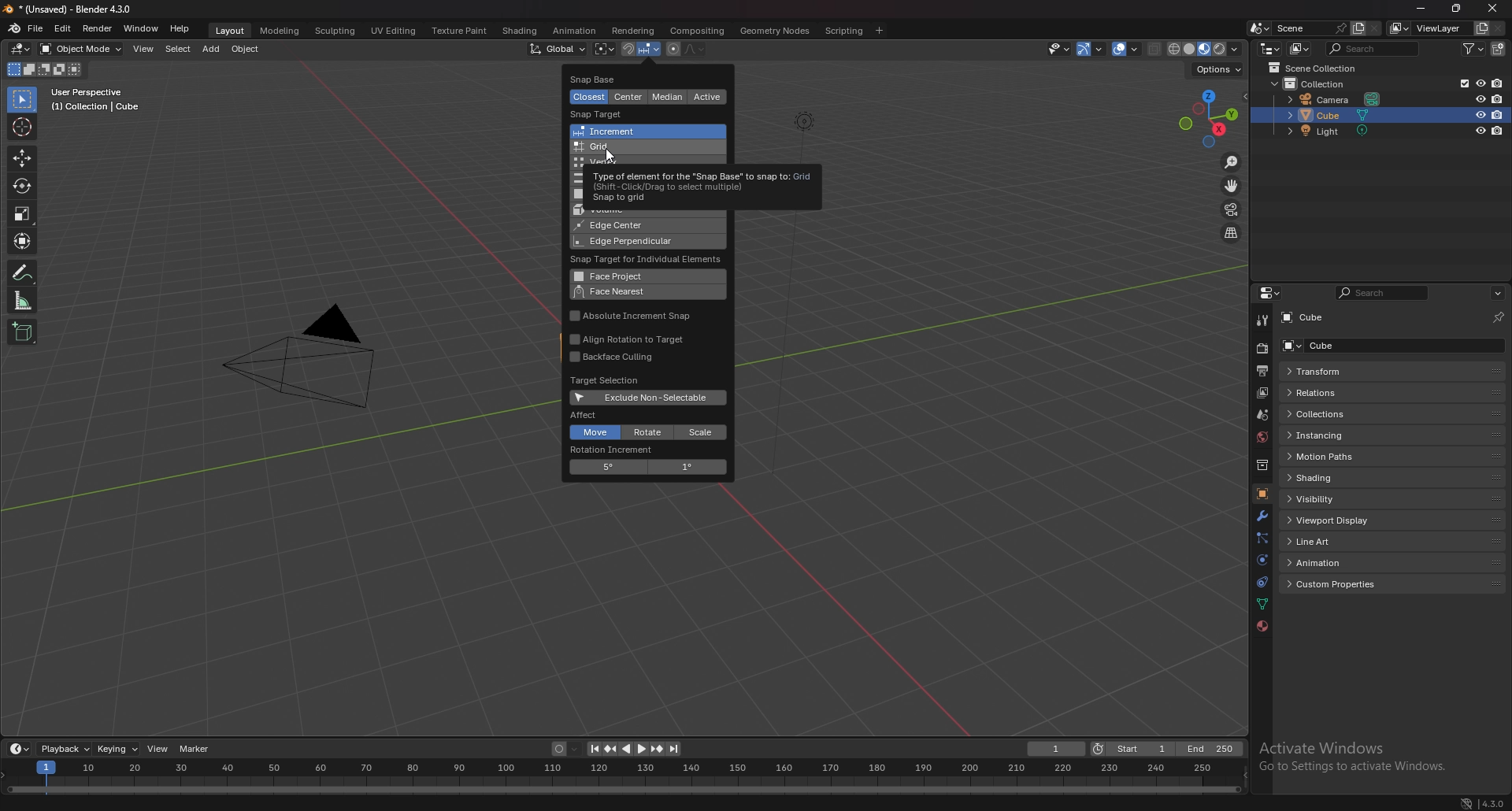 This screenshot has width=1512, height=811. Describe the element at coordinates (1480, 28) in the screenshot. I see `add view layer` at that location.